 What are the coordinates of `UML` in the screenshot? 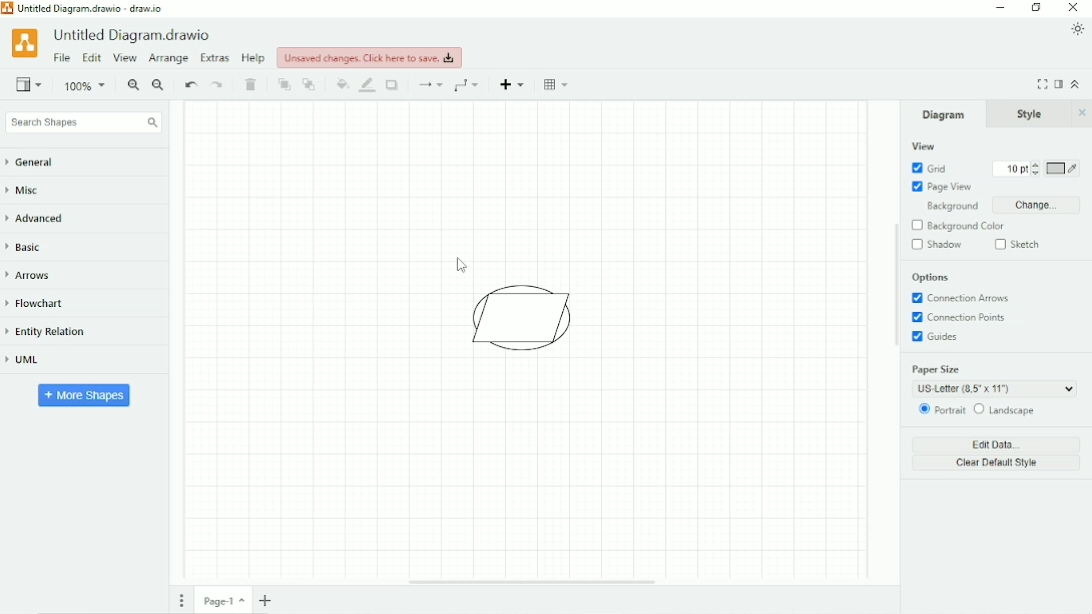 It's located at (31, 361).